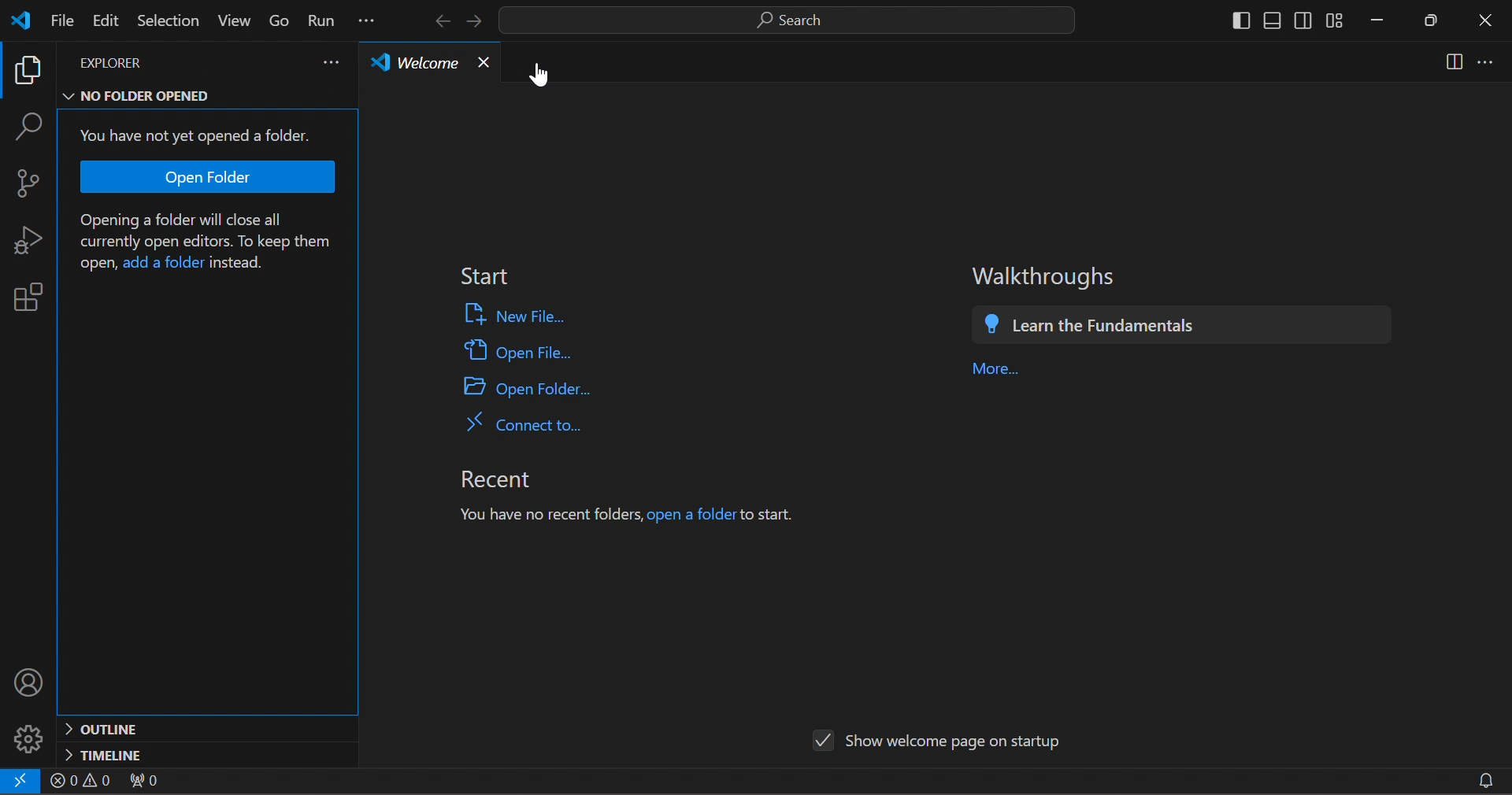 Image resolution: width=1512 pixels, height=795 pixels. I want to click on search, so click(791, 20).